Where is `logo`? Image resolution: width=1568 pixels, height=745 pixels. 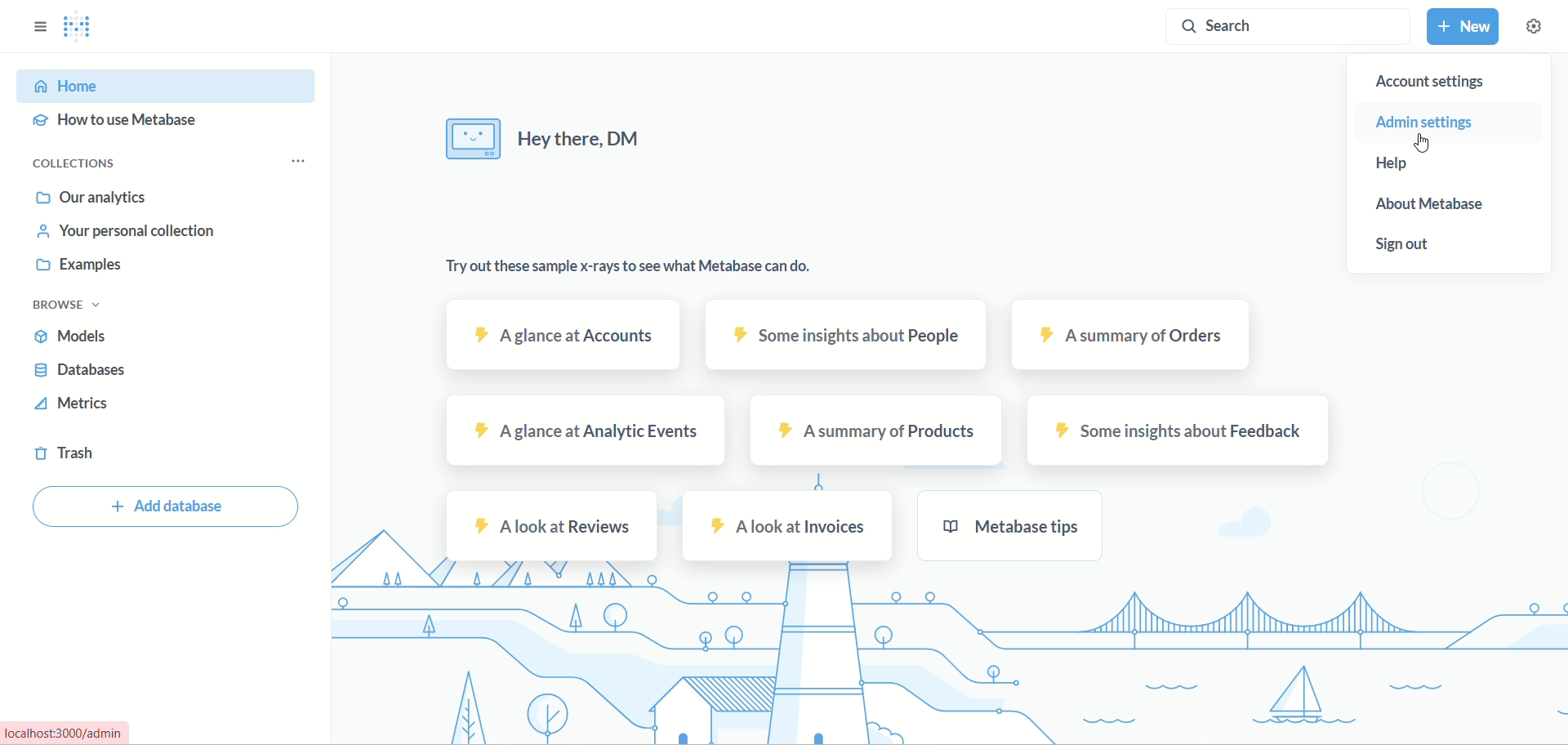
logo is located at coordinates (81, 31).